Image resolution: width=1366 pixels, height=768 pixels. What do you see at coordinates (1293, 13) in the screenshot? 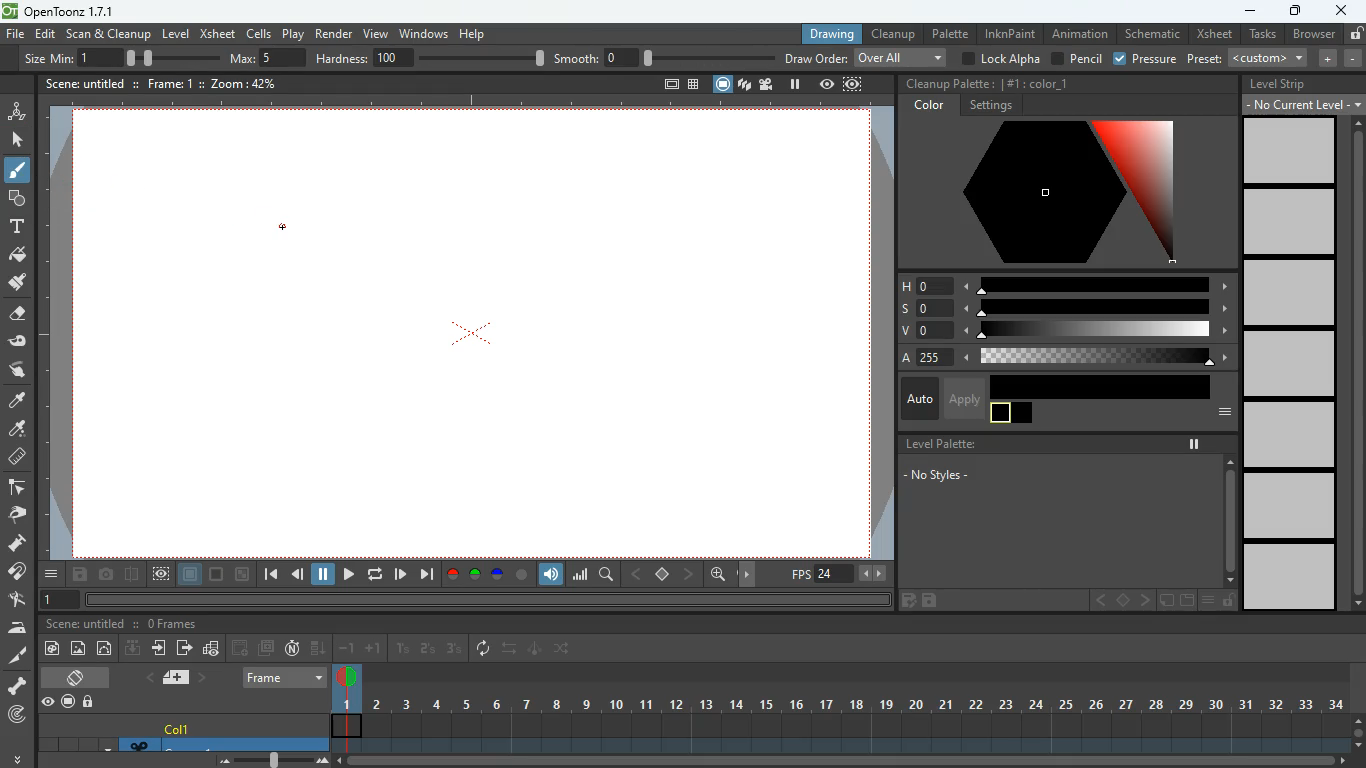
I see `maximize` at bounding box center [1293, 13].